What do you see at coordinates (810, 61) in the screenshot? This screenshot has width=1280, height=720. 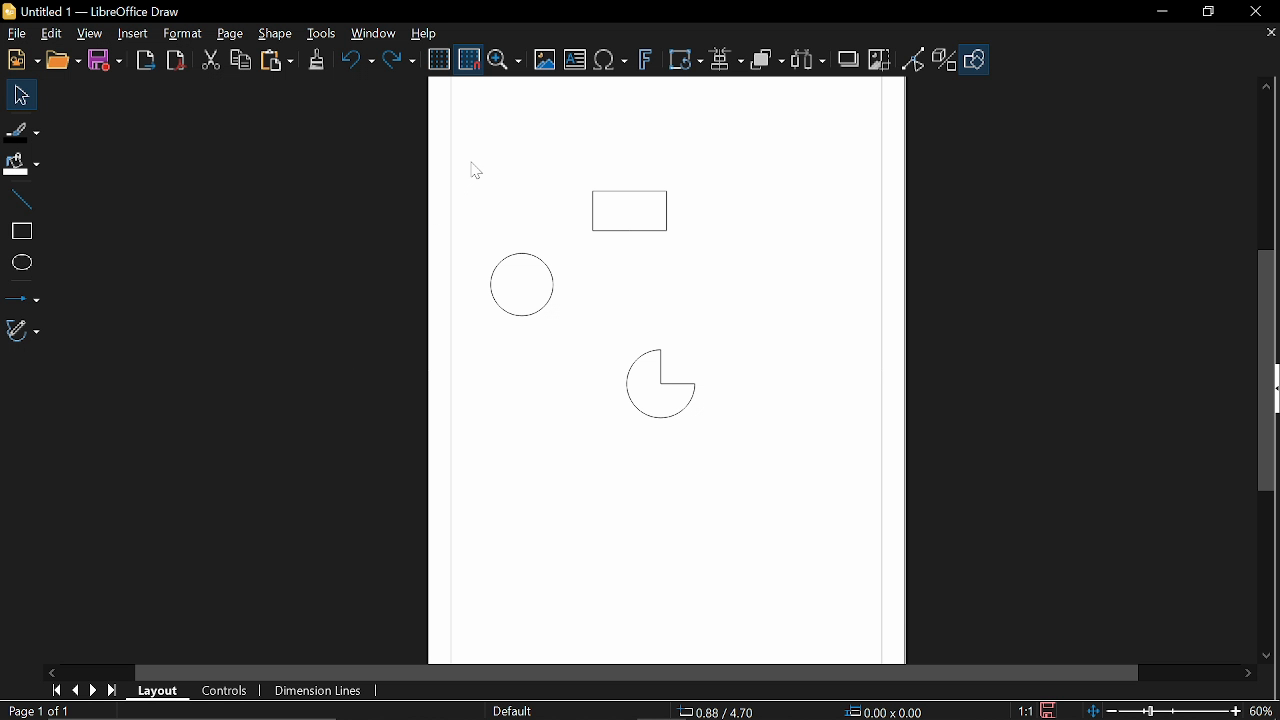 I see `Select at least three objects to distribute` at bounding box center [810, 61].